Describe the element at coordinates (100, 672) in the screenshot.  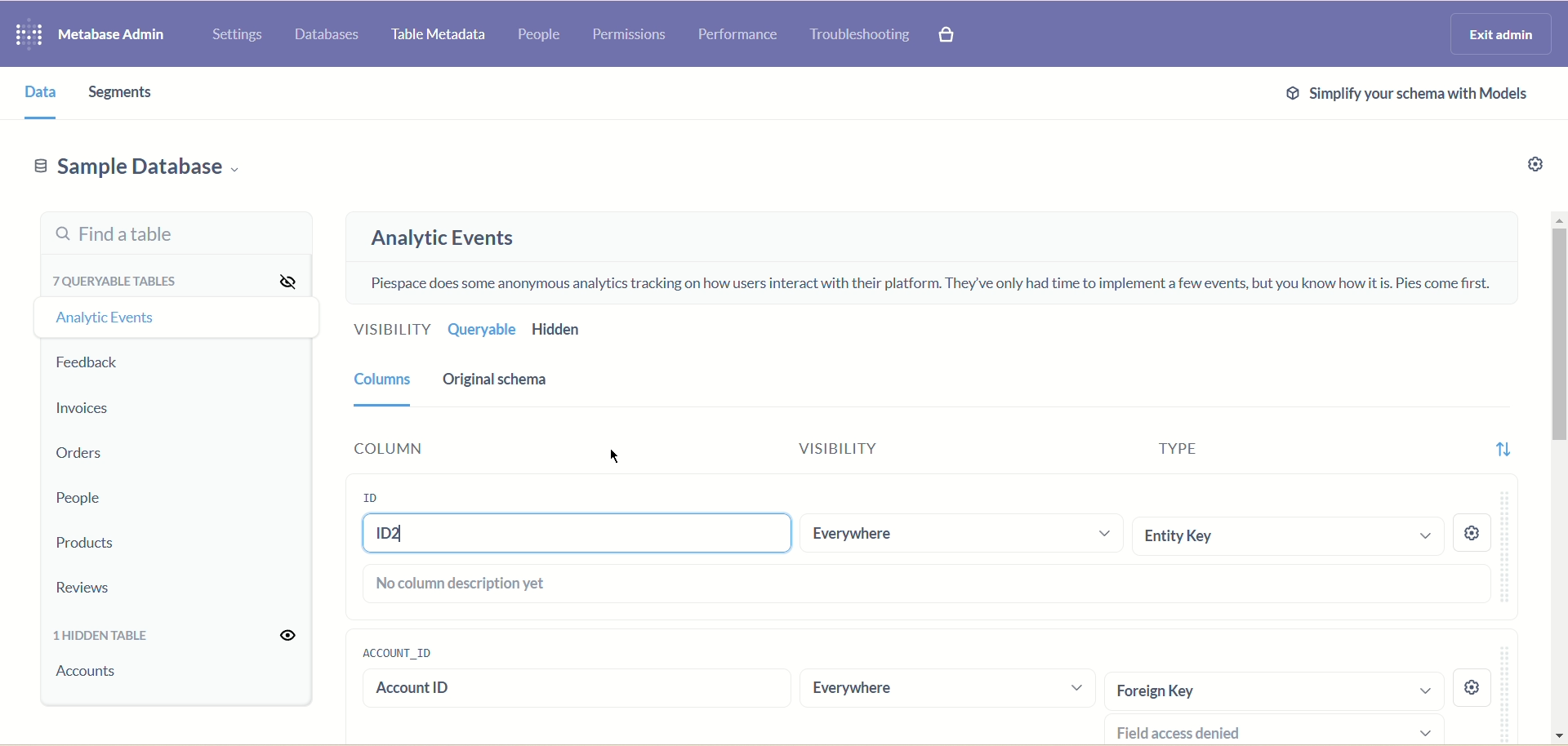
I see `accounts` at that location.